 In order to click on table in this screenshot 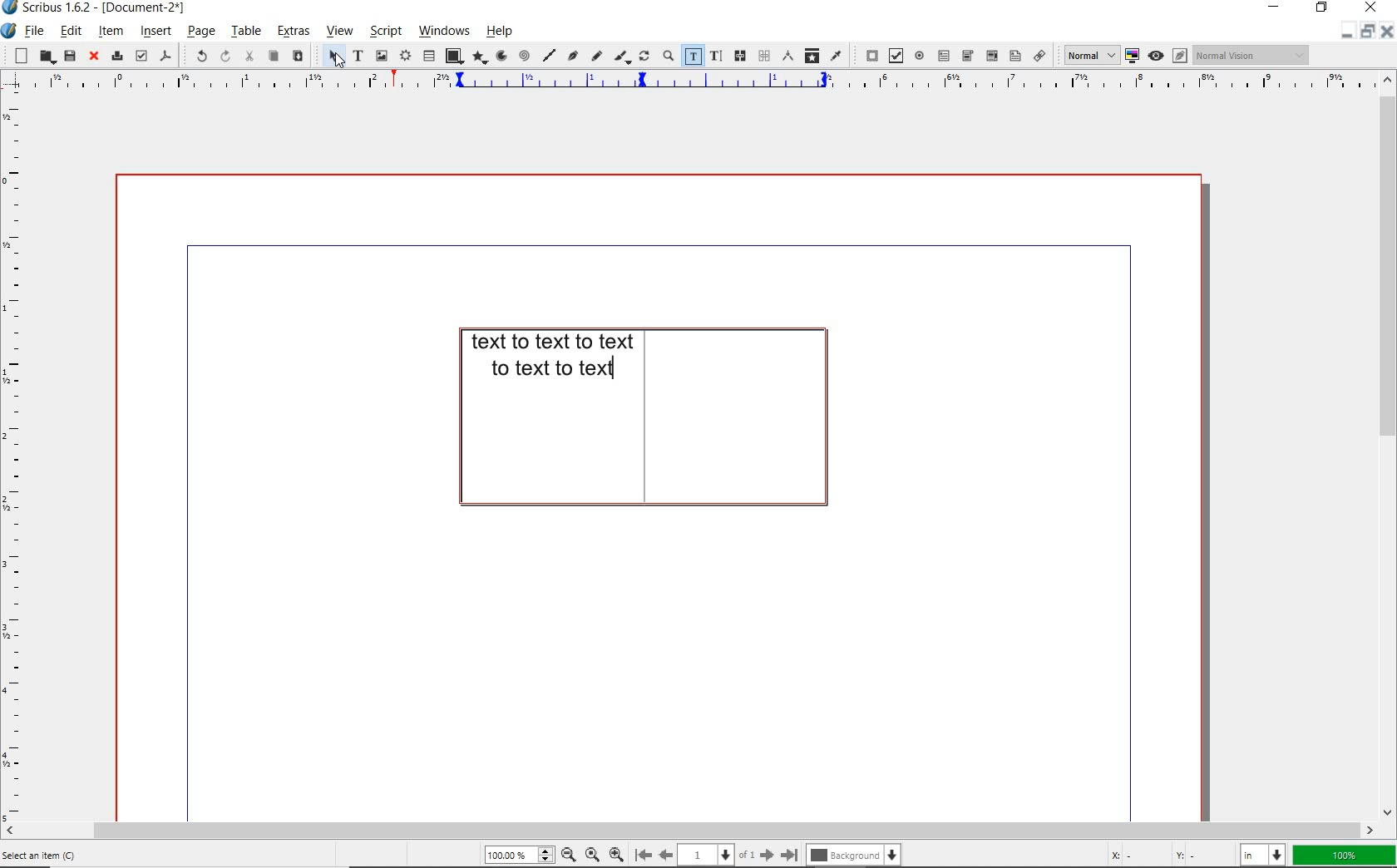, I will do `click(429, 55)`.